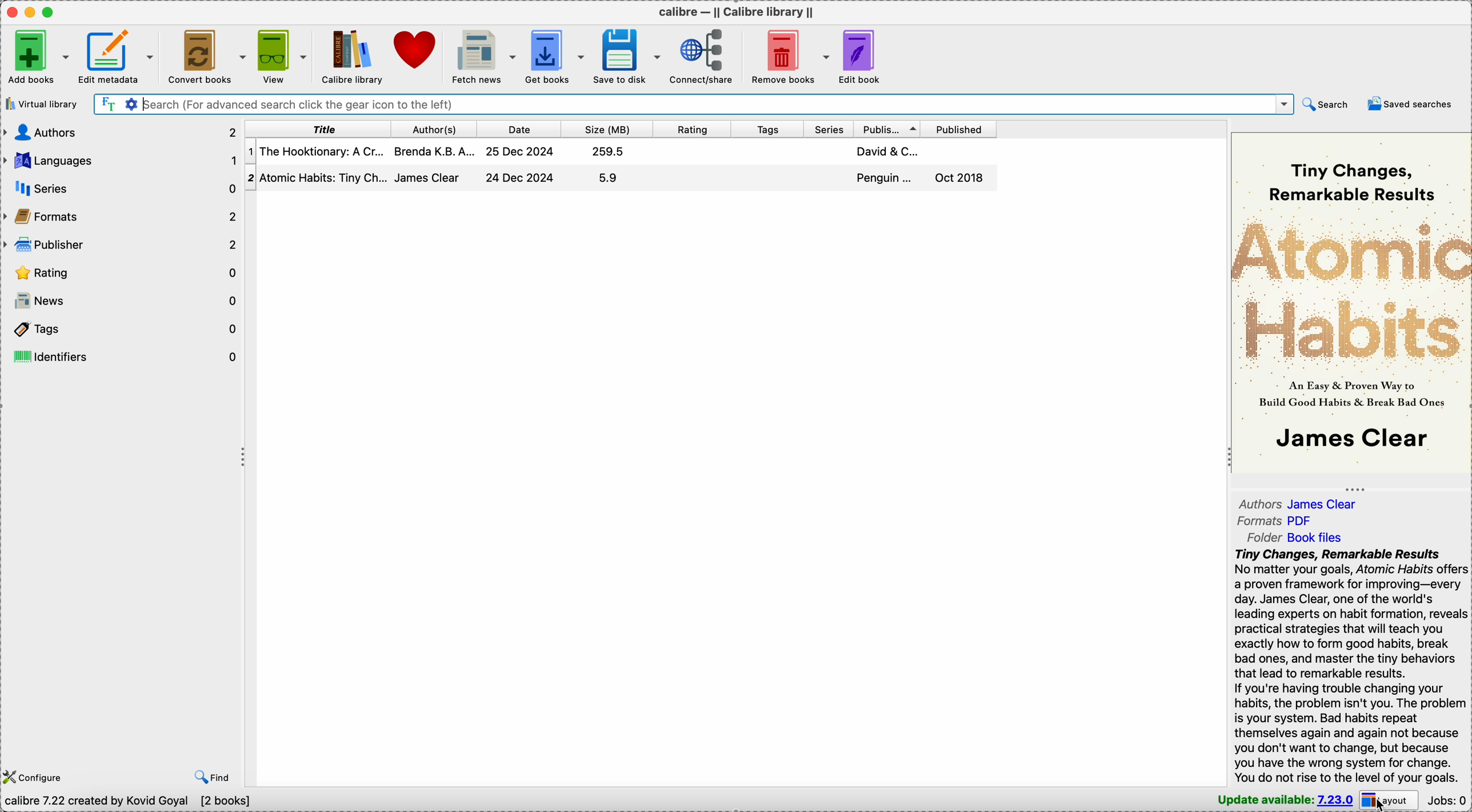 The image size is (1472, 812). I want to click on update available: 7.23.0, so click(1283, 801).